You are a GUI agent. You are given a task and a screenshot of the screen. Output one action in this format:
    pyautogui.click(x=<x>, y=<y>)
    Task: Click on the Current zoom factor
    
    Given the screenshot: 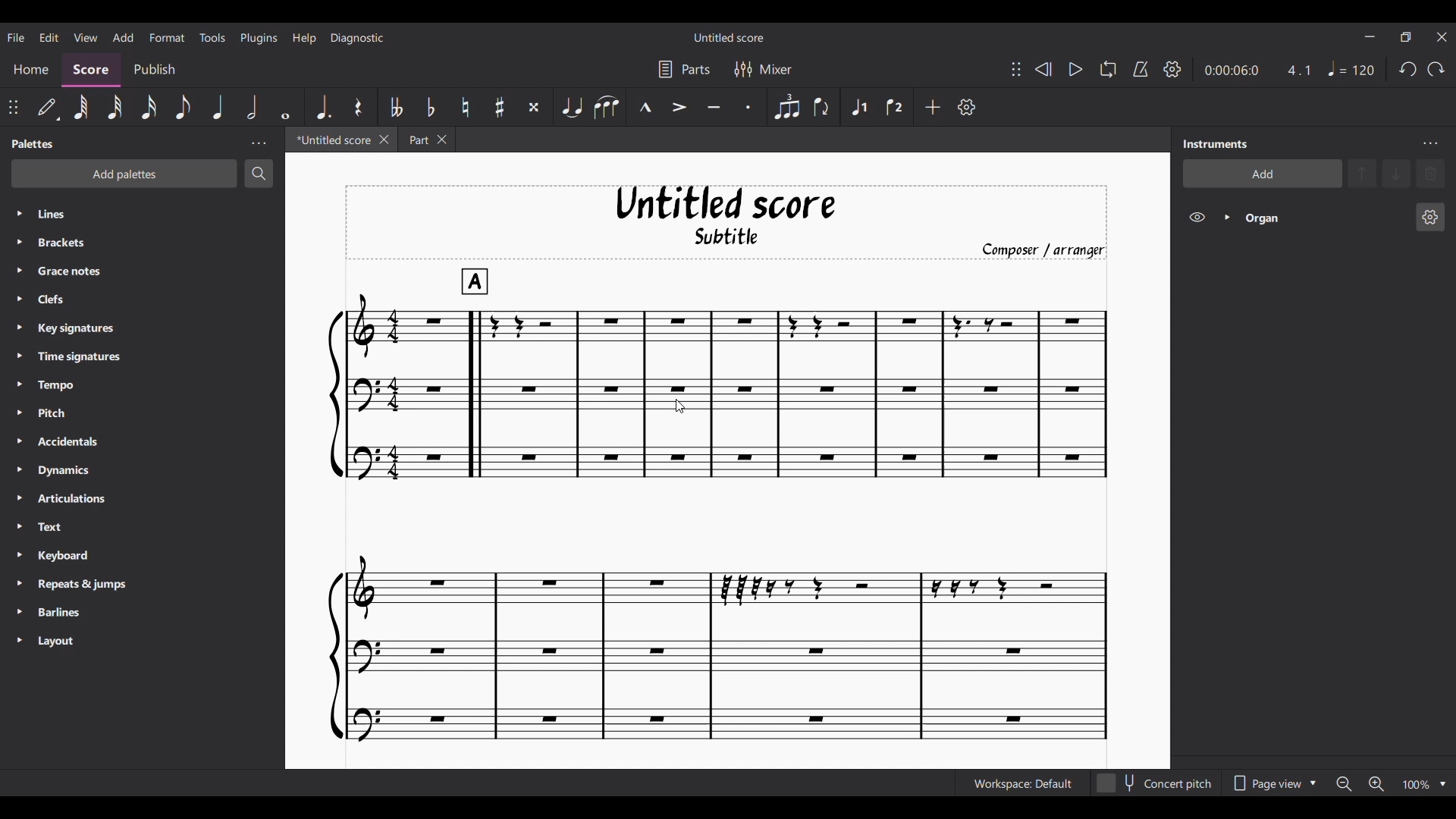 What is the action you would take?
    pyautogui.click(x=1417, y=785)
    